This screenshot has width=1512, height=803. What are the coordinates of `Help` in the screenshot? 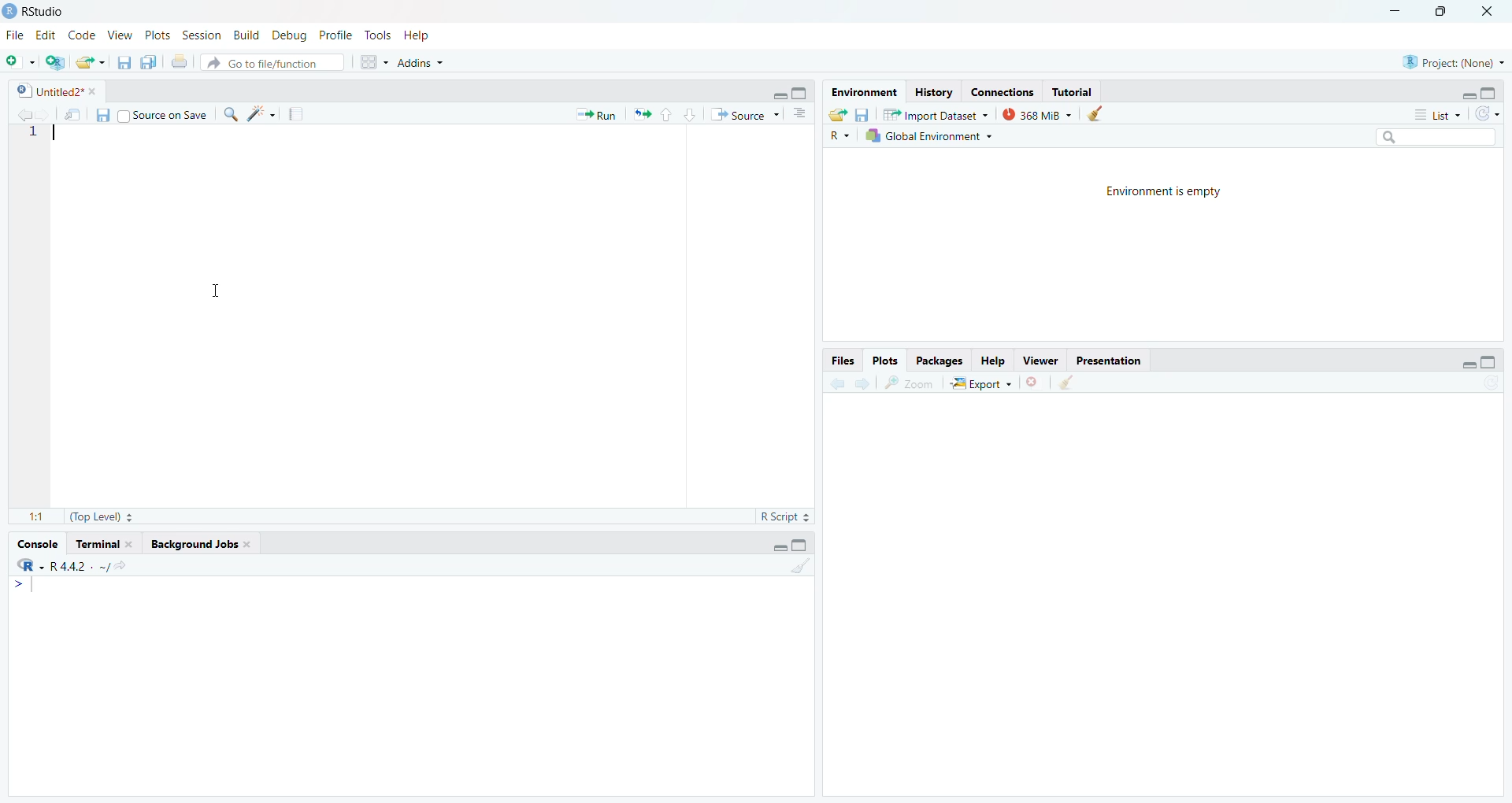 It's located at (997, 361).